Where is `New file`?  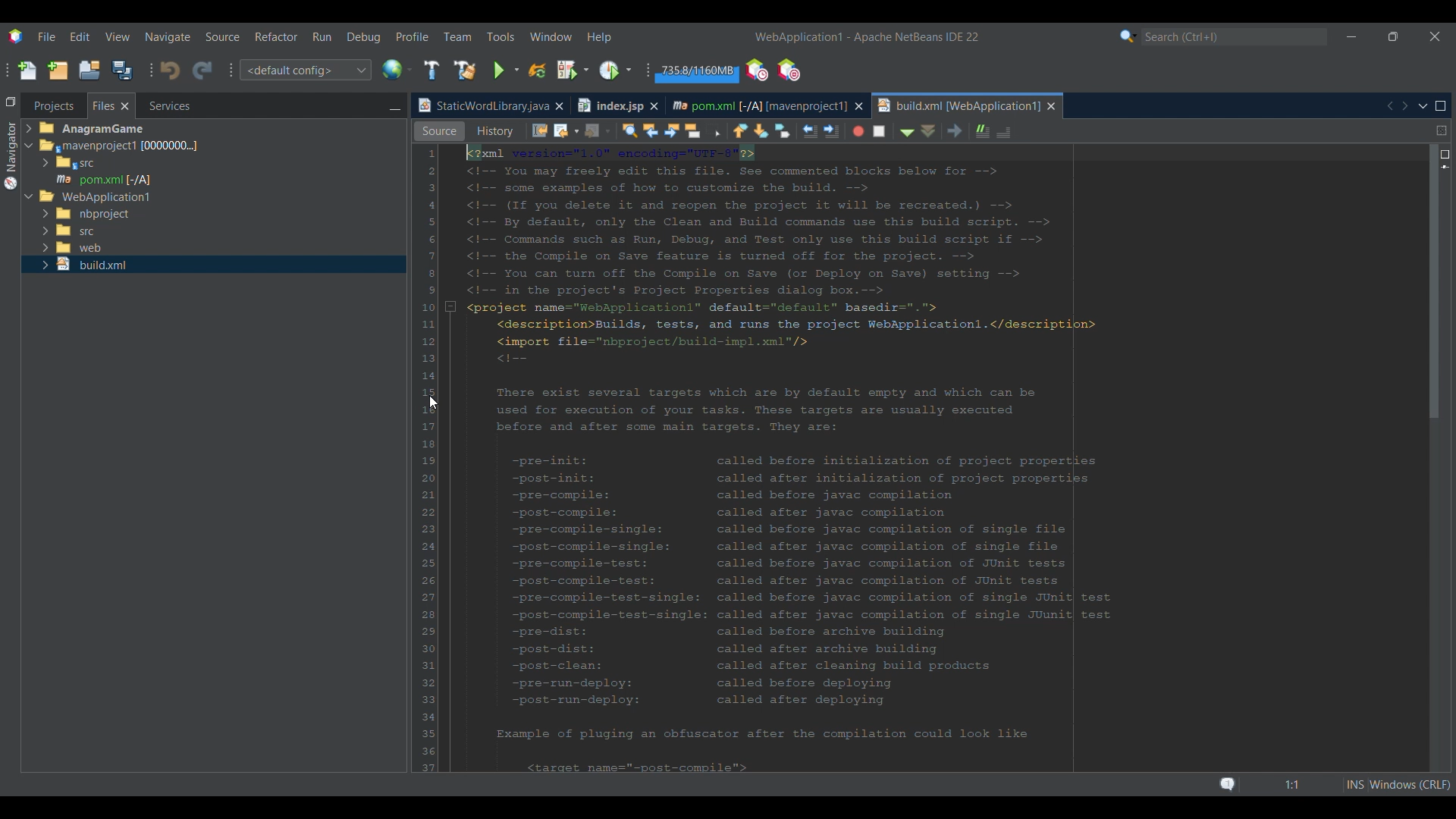 New file is located at coordinates (27, 71).